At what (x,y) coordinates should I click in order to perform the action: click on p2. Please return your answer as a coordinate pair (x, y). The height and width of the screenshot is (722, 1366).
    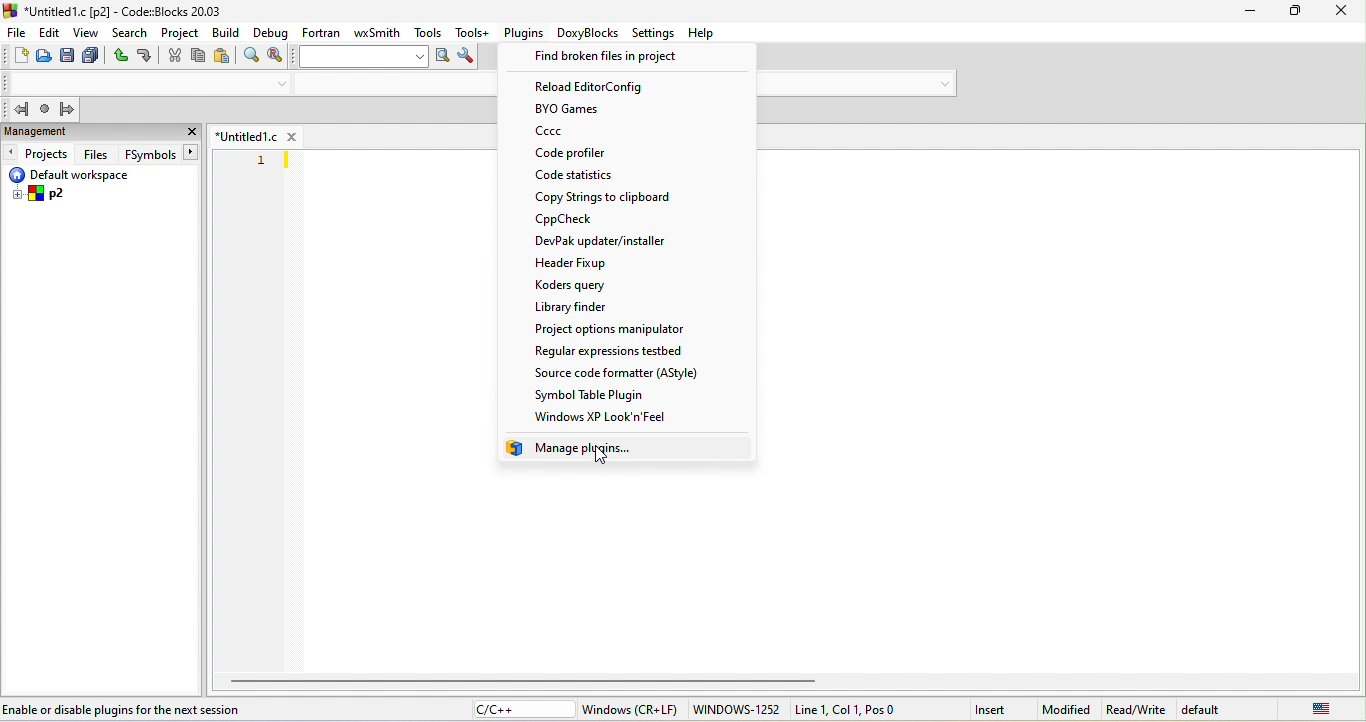
    Looking at the image, I should click on (41, 195).